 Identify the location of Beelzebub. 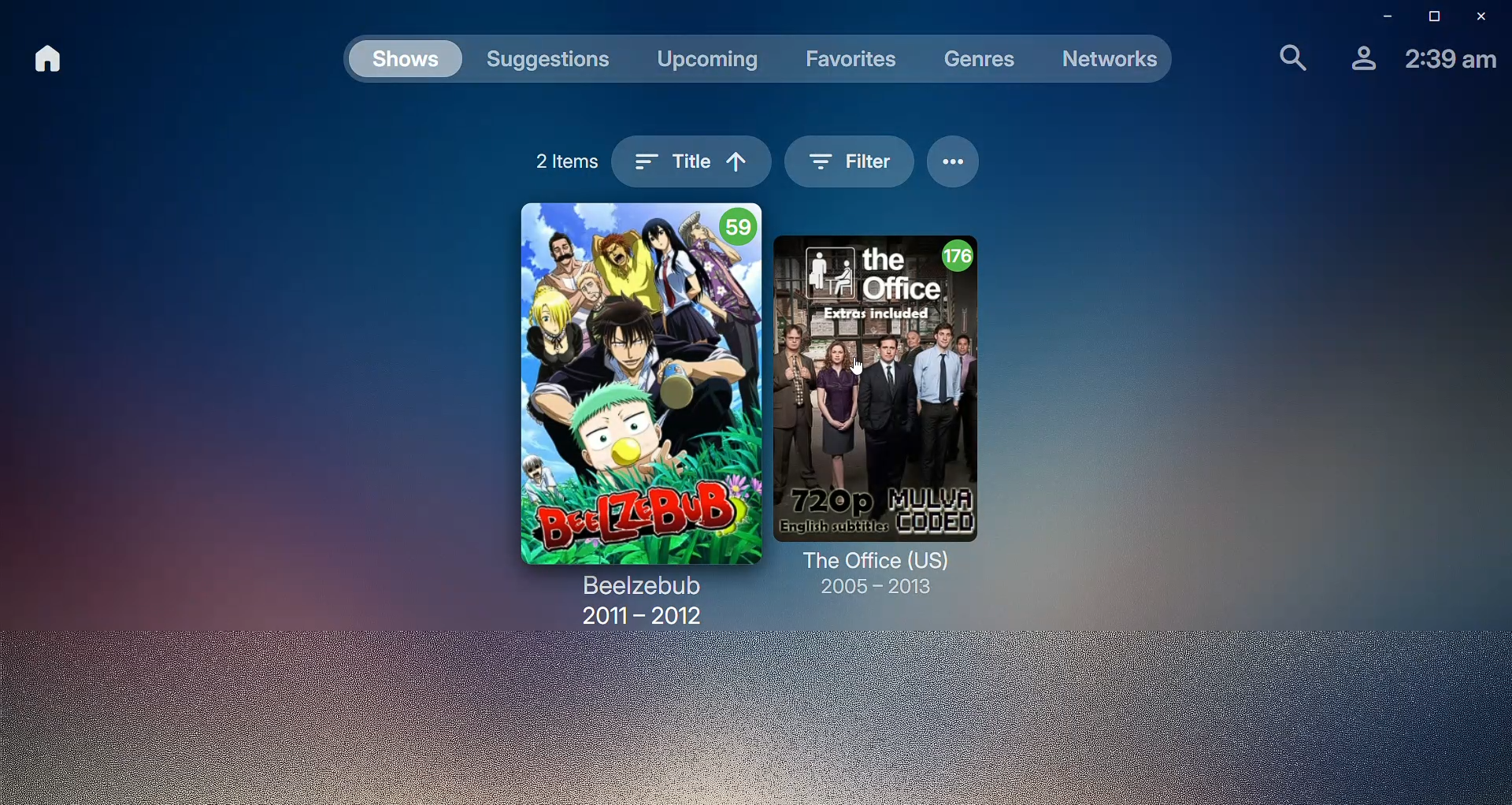
(621, 414).